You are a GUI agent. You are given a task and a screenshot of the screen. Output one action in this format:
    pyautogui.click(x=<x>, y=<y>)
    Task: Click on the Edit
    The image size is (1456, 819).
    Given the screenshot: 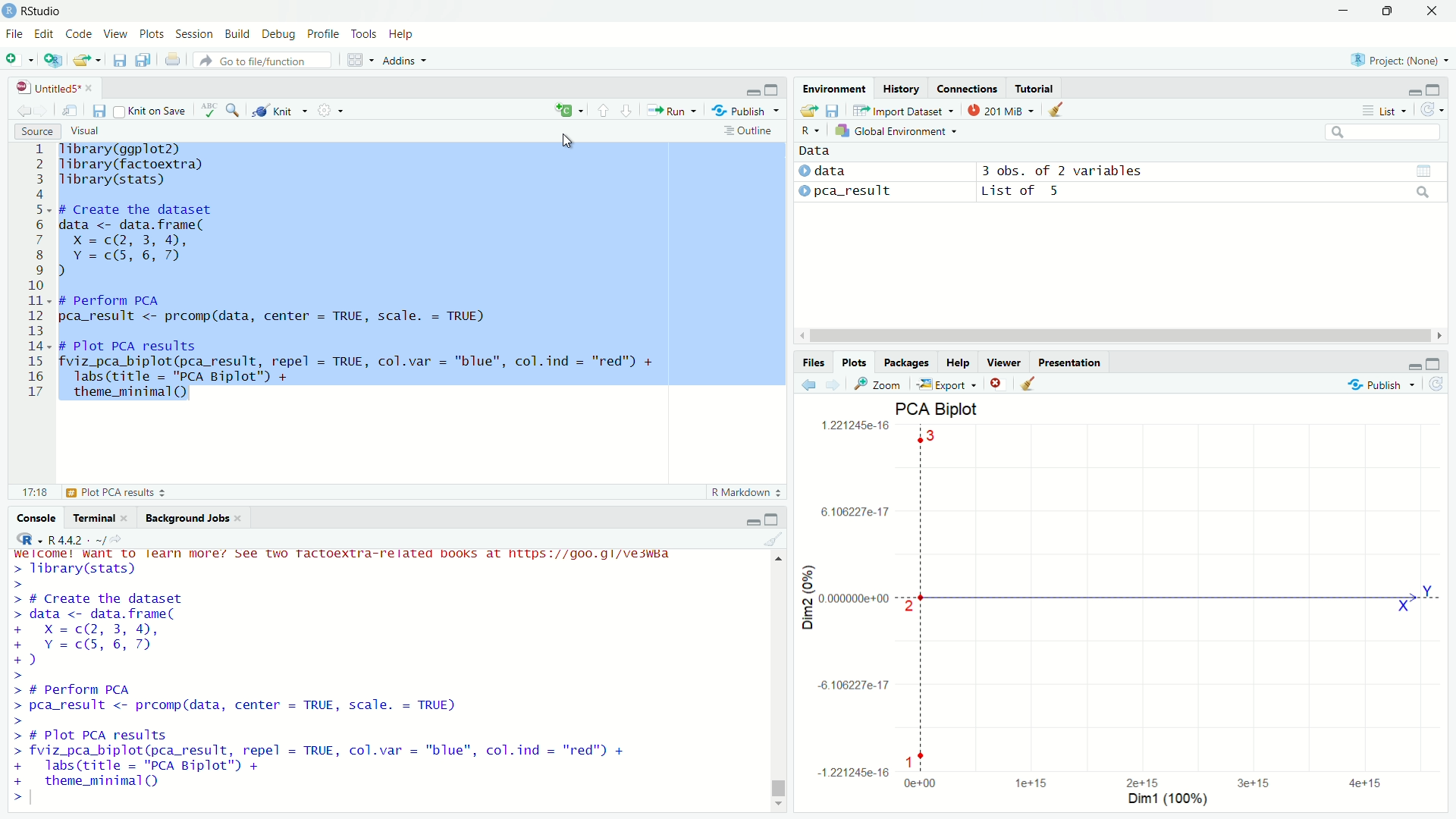 What is the action you would take?
    pyautogui.click(x=45, y=35)
    